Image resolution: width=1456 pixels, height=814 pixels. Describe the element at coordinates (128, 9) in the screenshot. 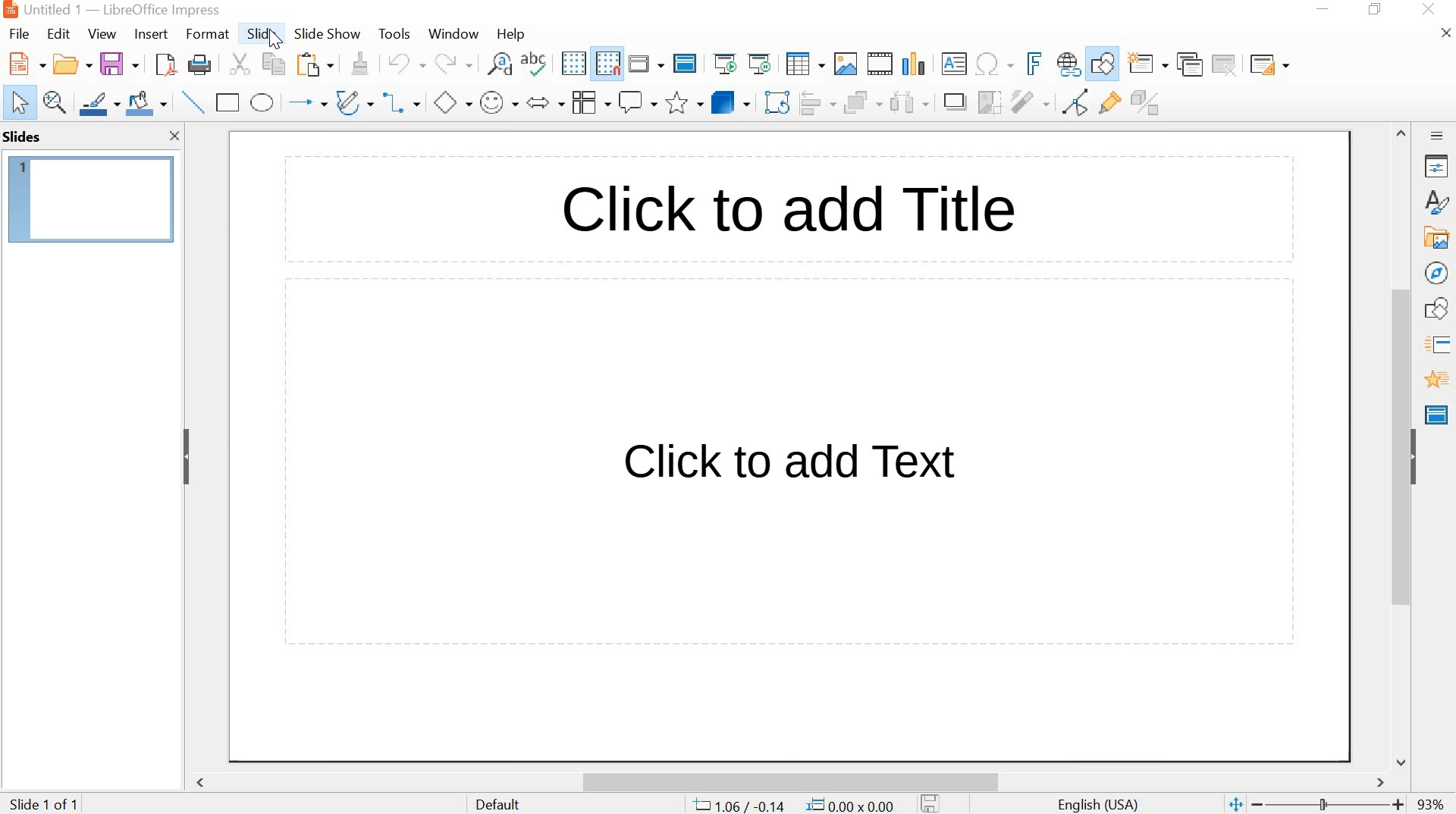

I see `jg Untitled 1 — LibreOffice Impress` at that location.